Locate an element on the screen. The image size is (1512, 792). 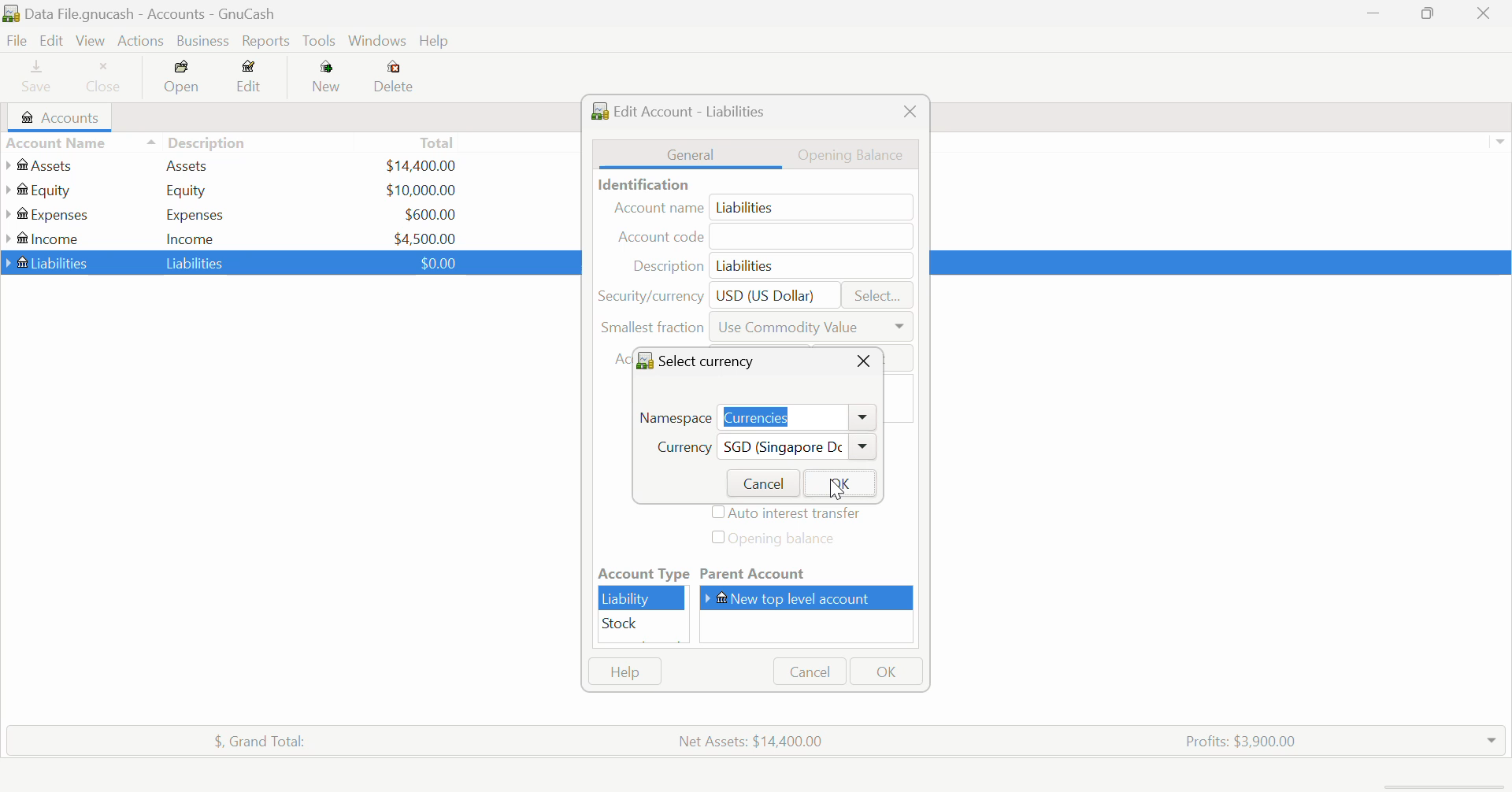
Identification is located at coordinates (640, 184).